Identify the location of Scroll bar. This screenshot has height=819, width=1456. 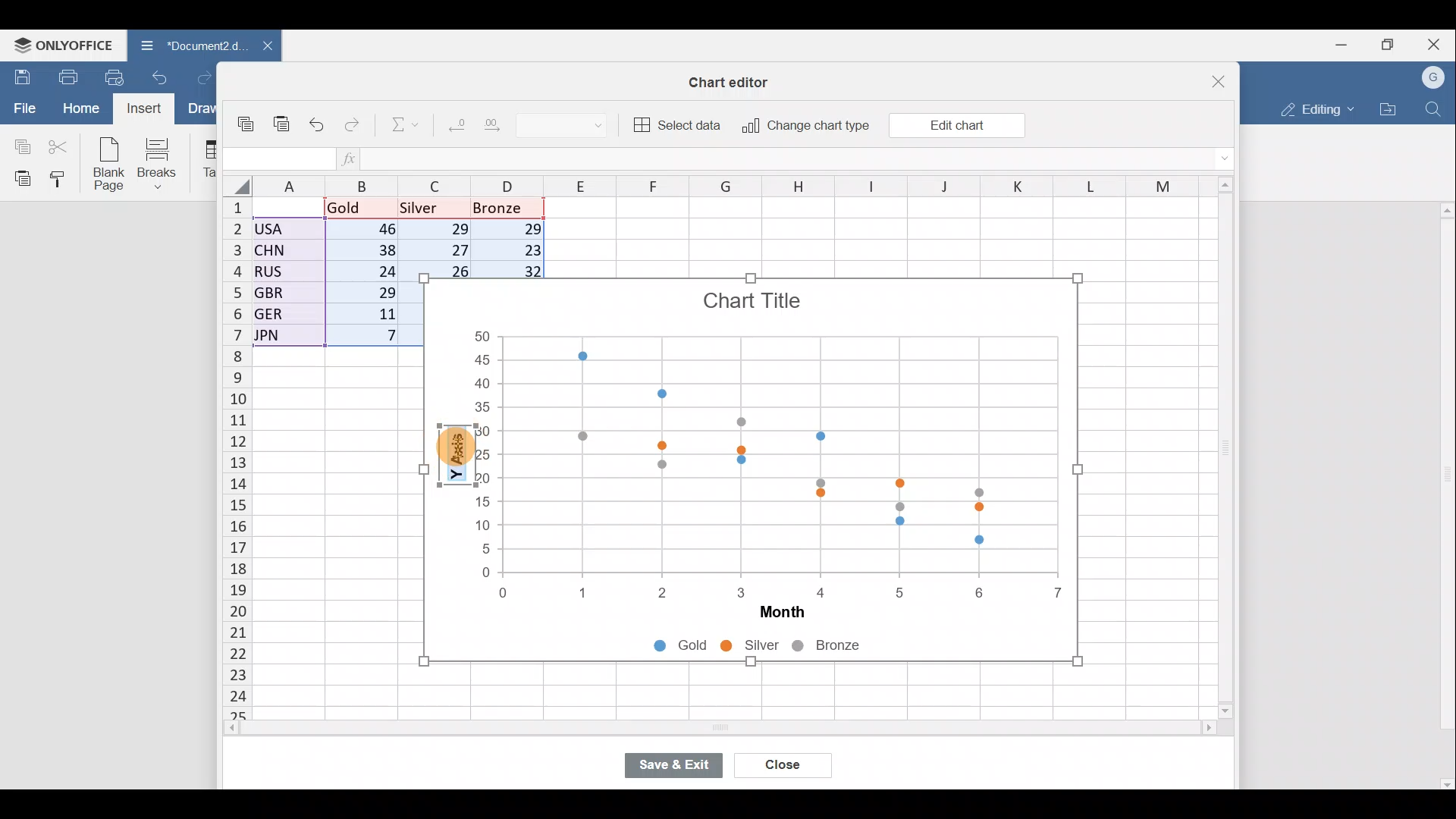
(1220, 449).